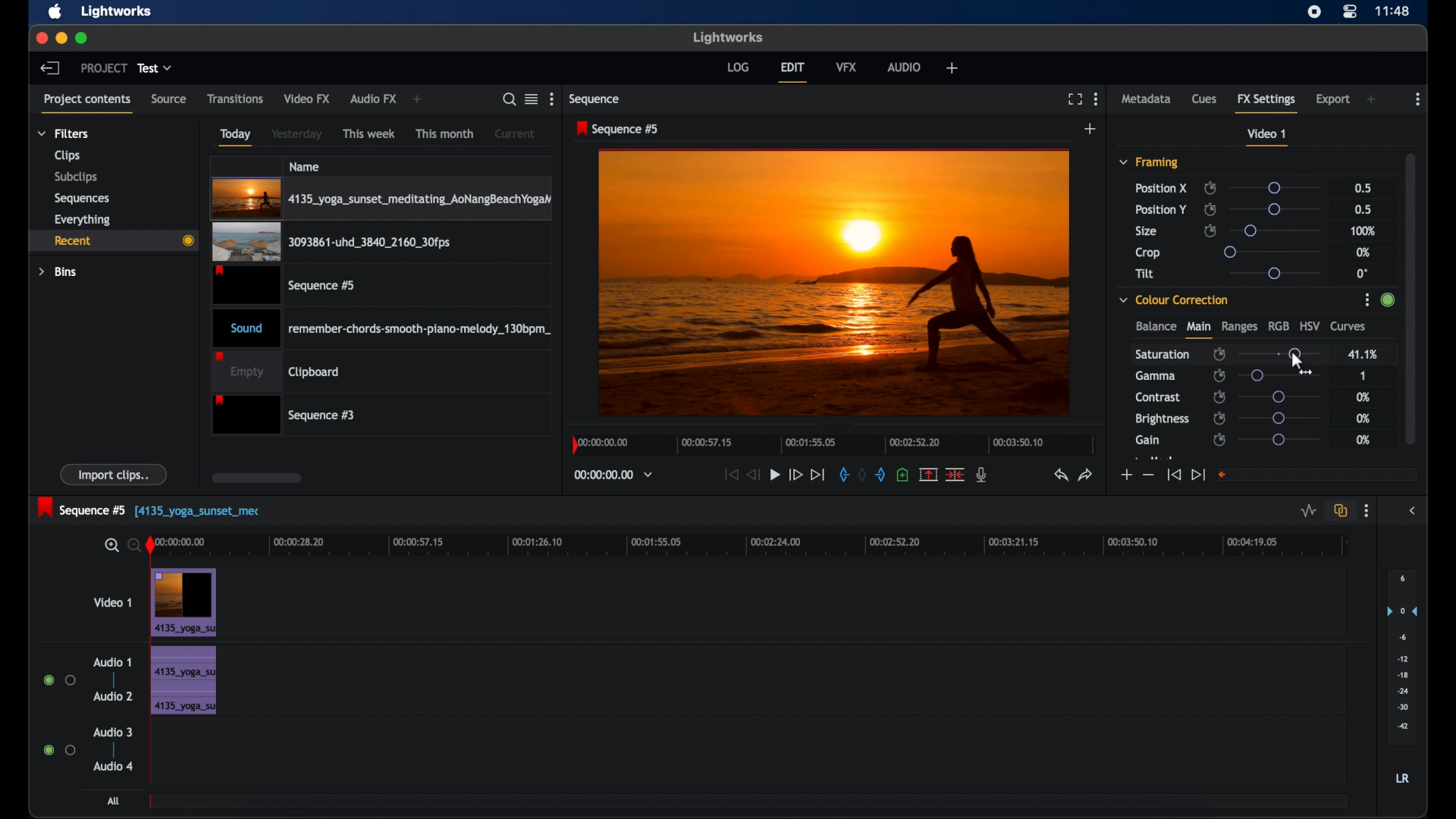 The width and height of the screenshot is (1456, 819). What do you see at coordinates (112, 696) in the screenshot?
I see `audio 2` at bounding box center [112, 696].